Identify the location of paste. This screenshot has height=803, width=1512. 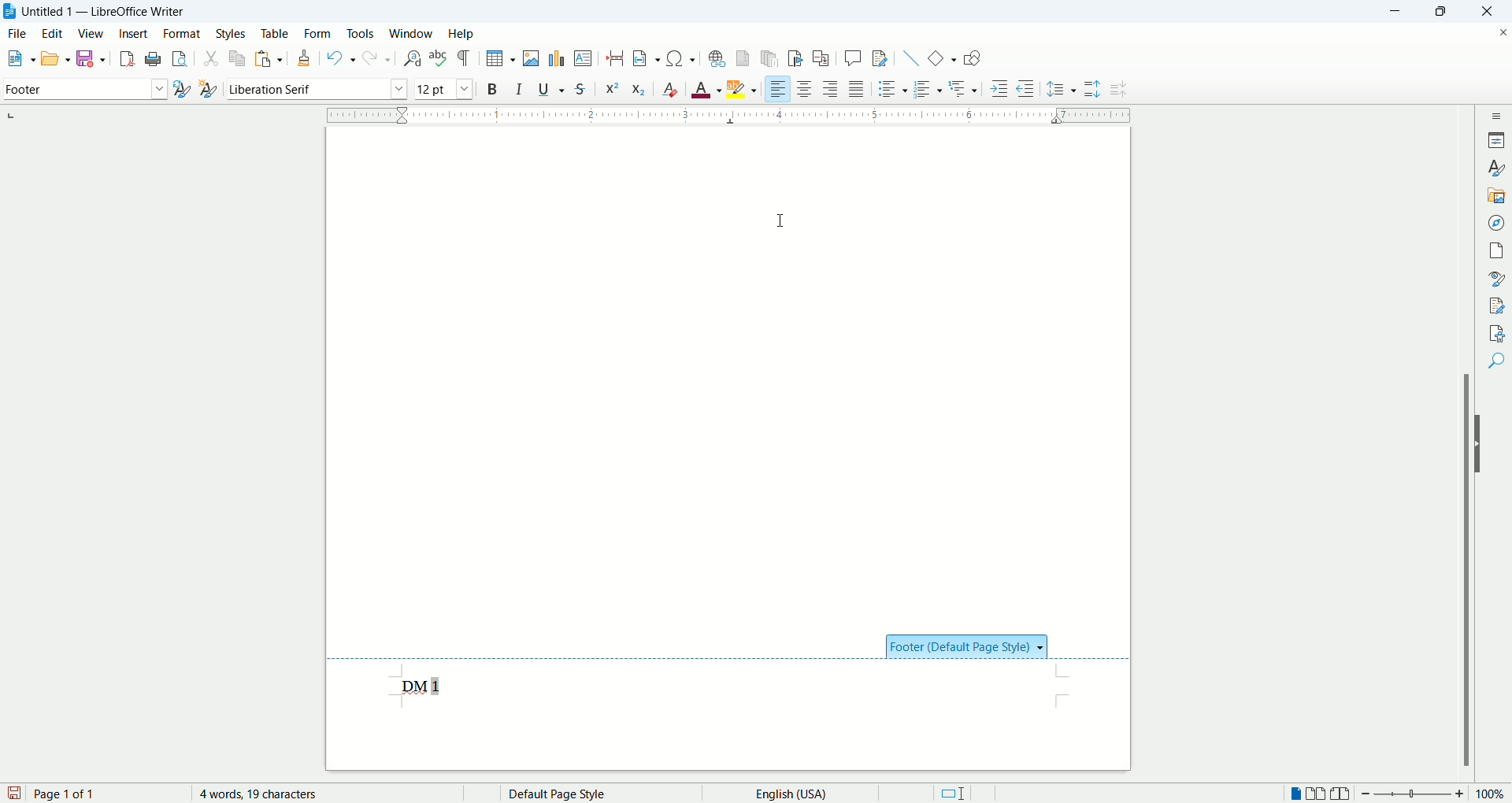
(270, 56).